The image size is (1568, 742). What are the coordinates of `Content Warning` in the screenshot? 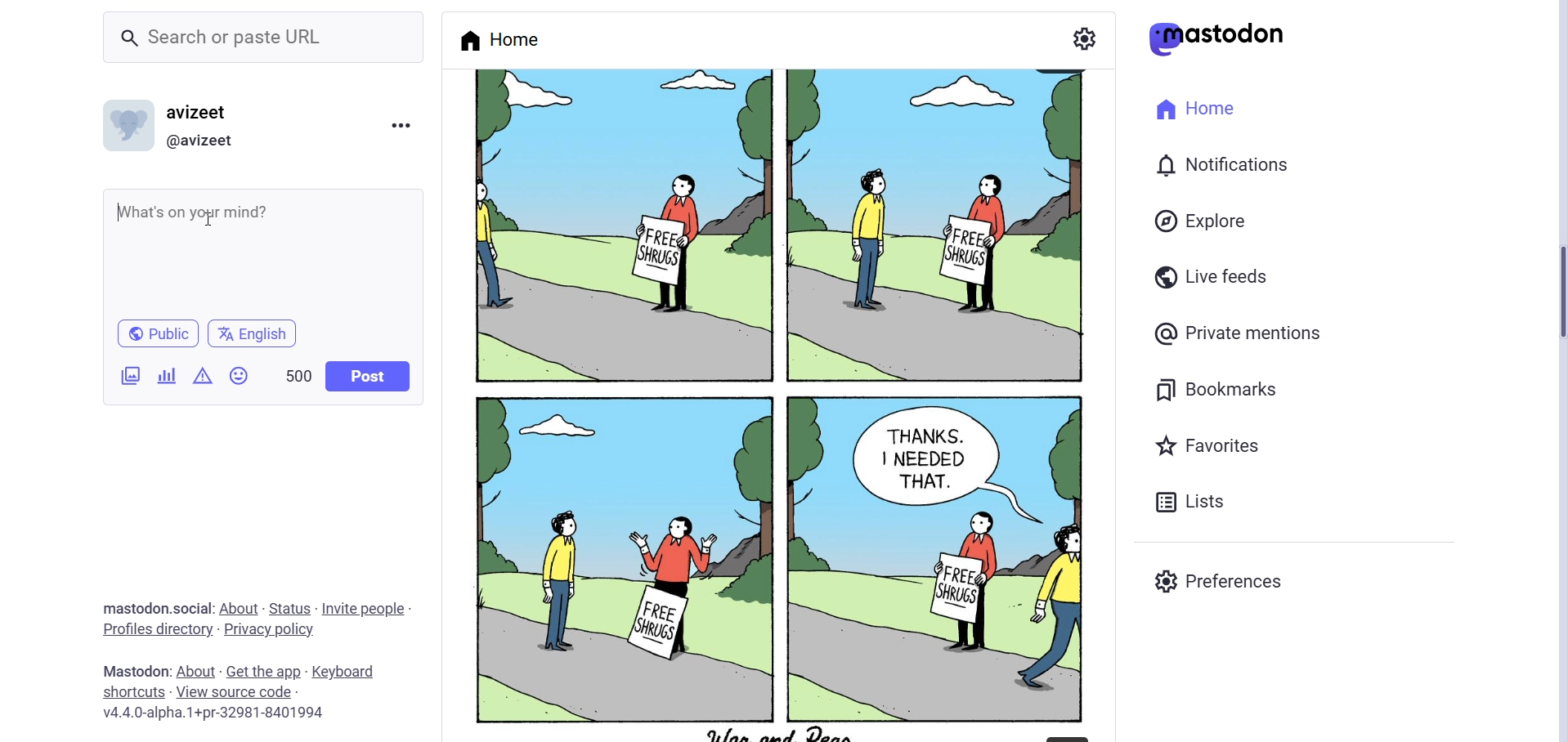 It's located at (203, 378).